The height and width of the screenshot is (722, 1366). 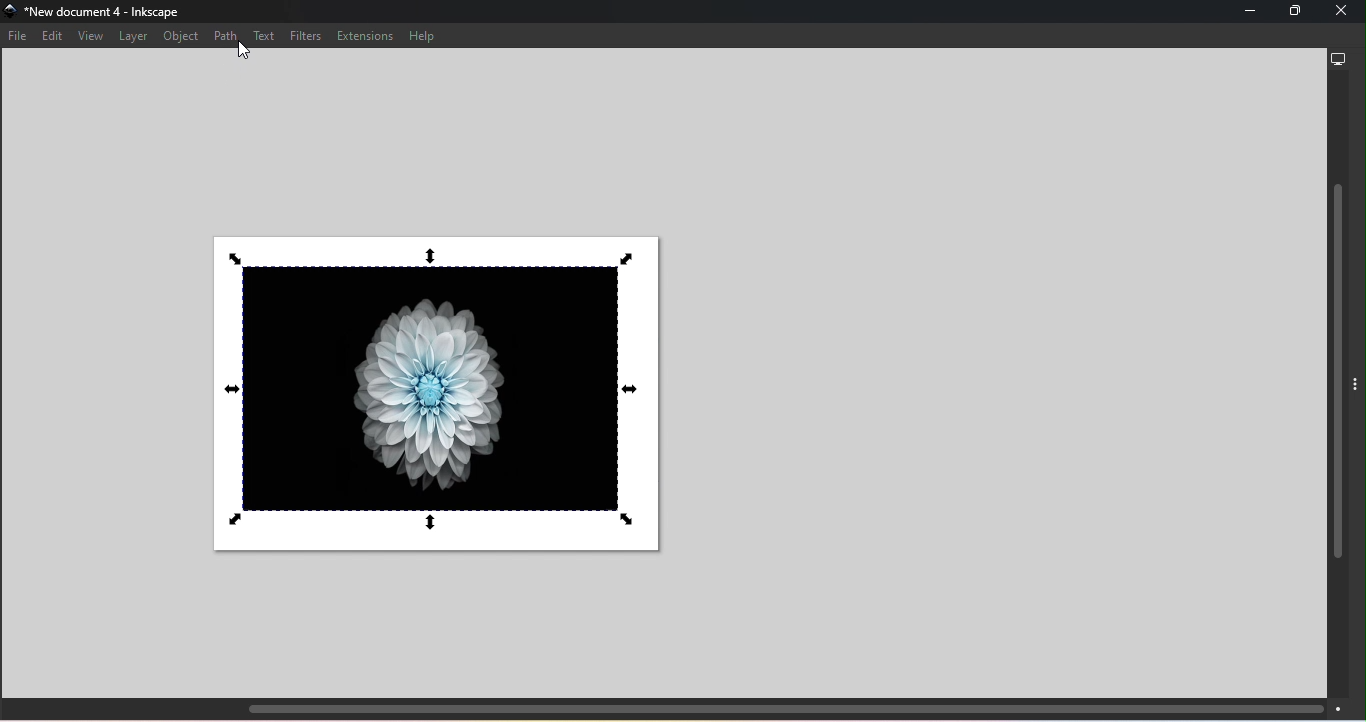 What do you see at coordinates (265, 36) in the screenshot?
I see `Text` at bounding box center [265, 36].